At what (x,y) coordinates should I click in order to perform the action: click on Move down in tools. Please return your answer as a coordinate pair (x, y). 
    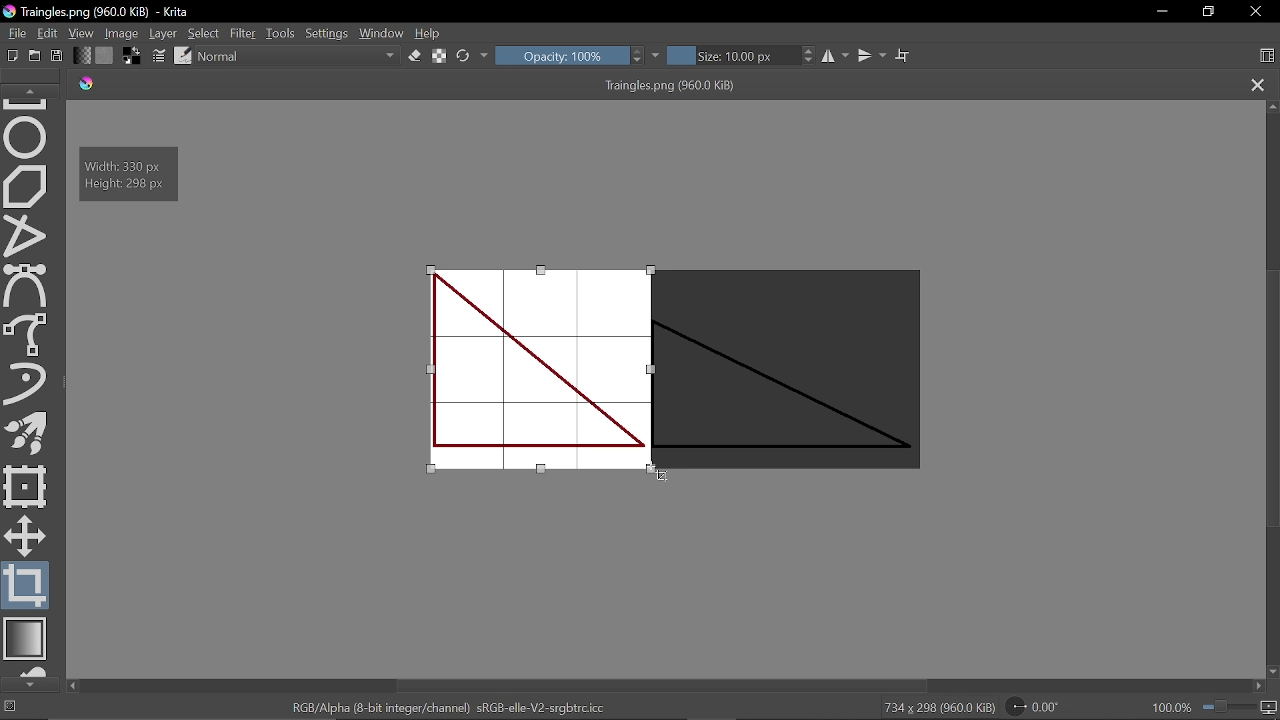
    Looking at the image, I should click on (29, 685).